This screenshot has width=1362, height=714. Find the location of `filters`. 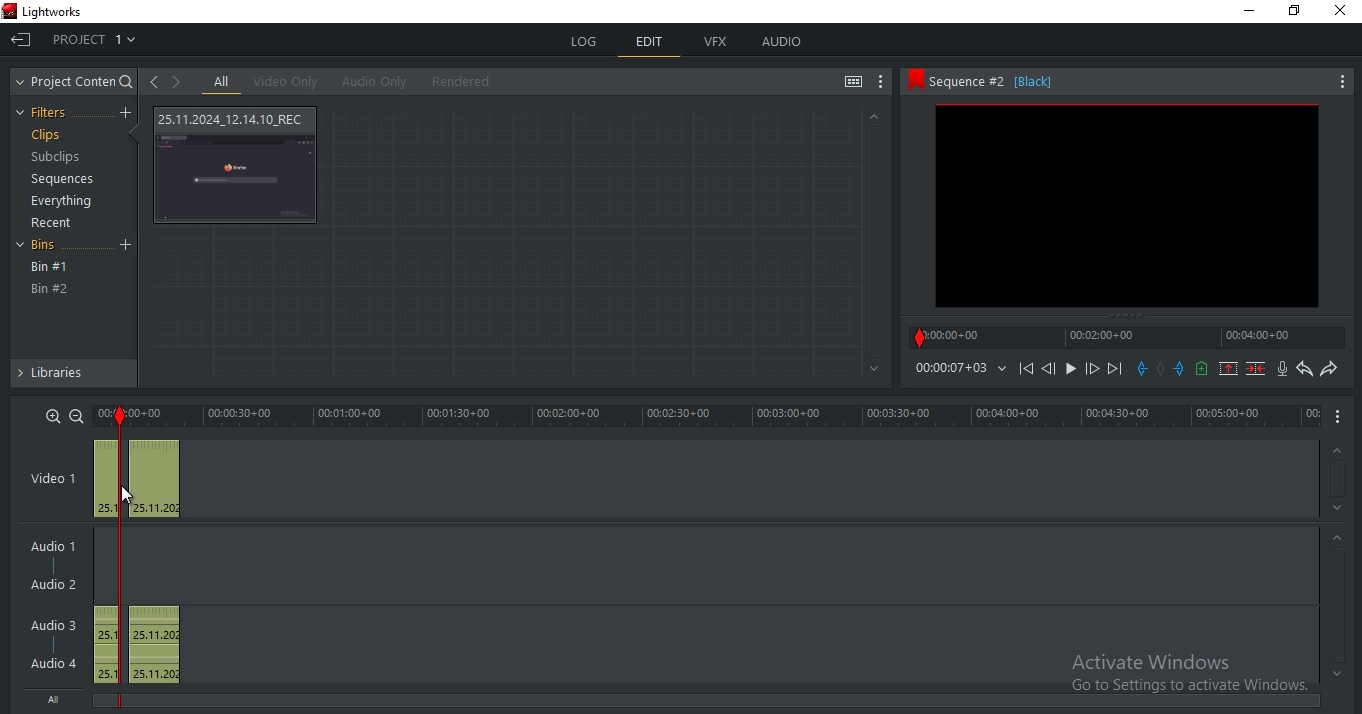

filters is located at coordinates (47, 113).